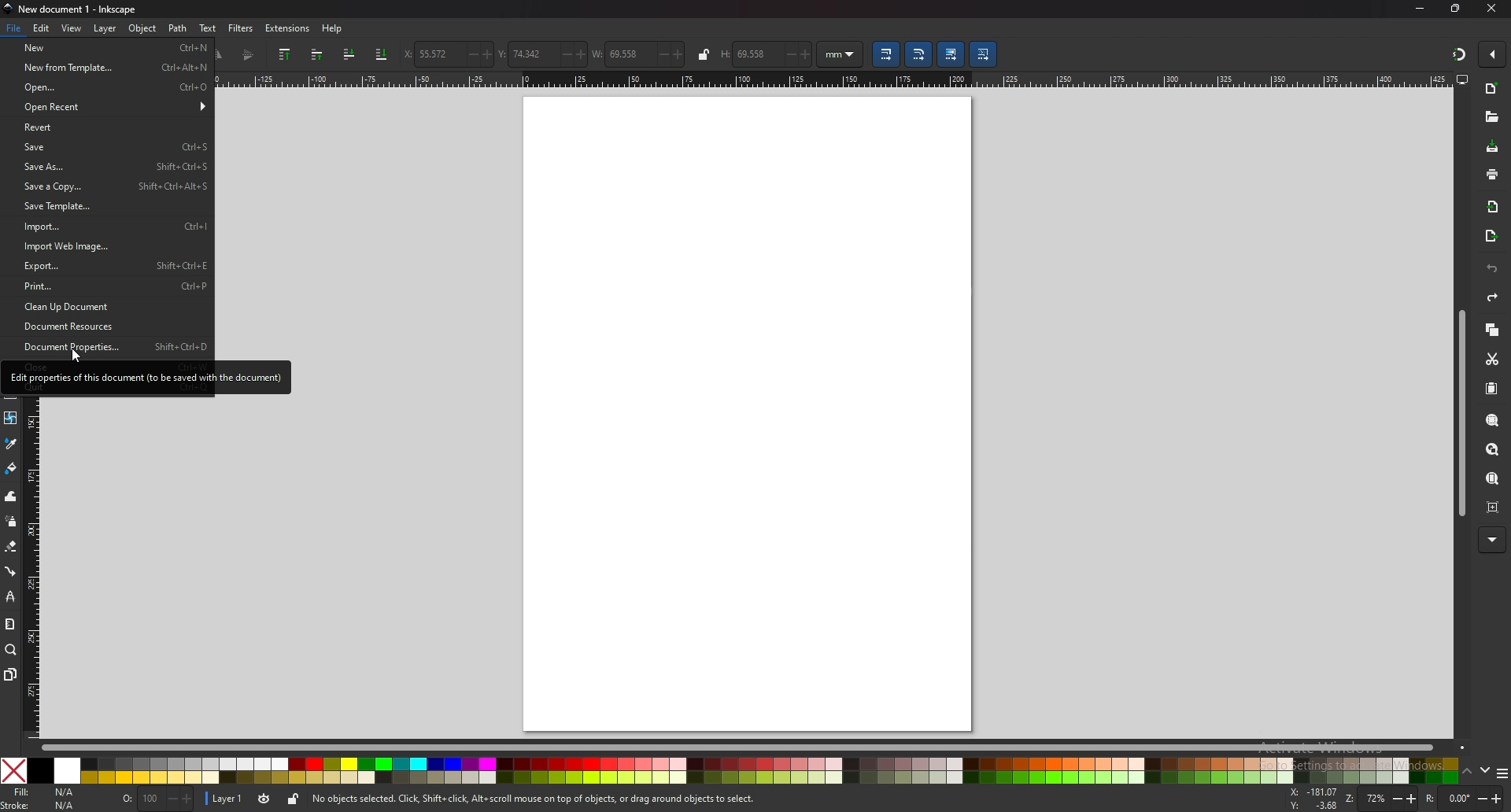 Image resolution: width=1511 pixels, height=812 pixels. I want to click on Layer, so click(105, 30).